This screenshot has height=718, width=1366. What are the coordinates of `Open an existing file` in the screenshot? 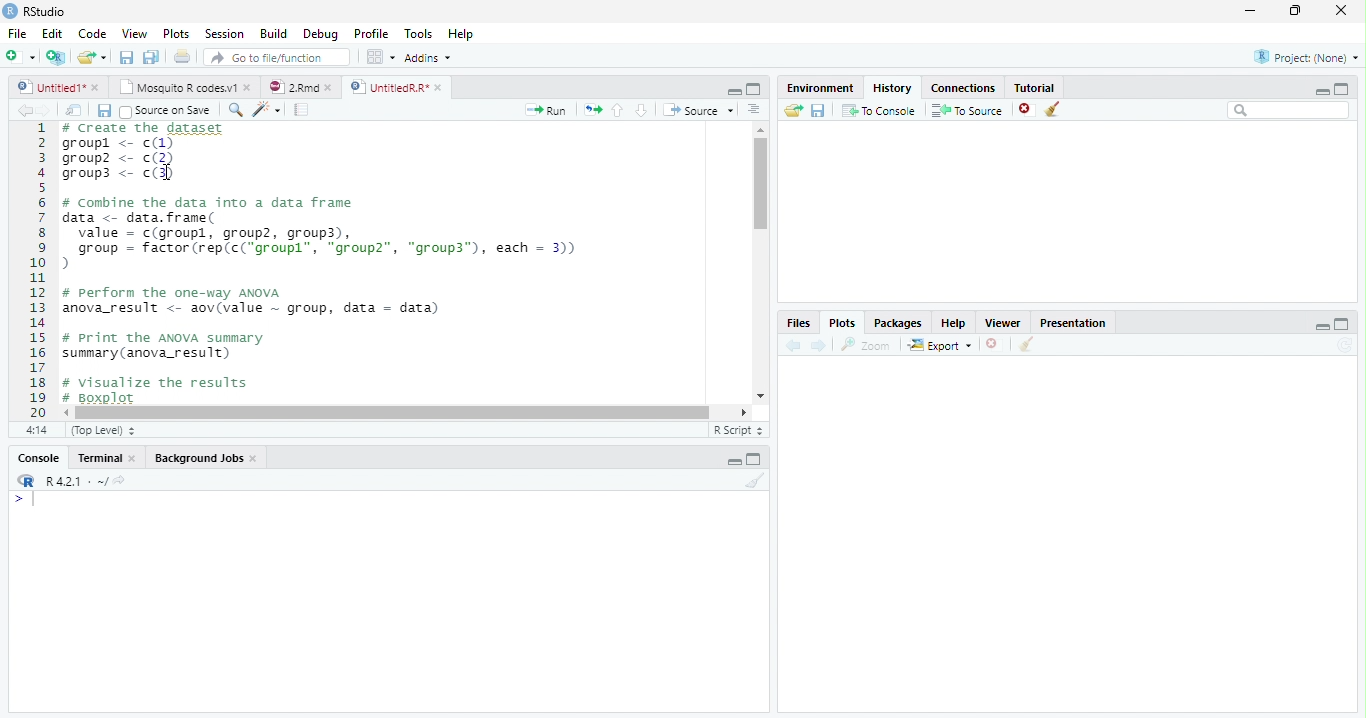 It's located at (92, 57).